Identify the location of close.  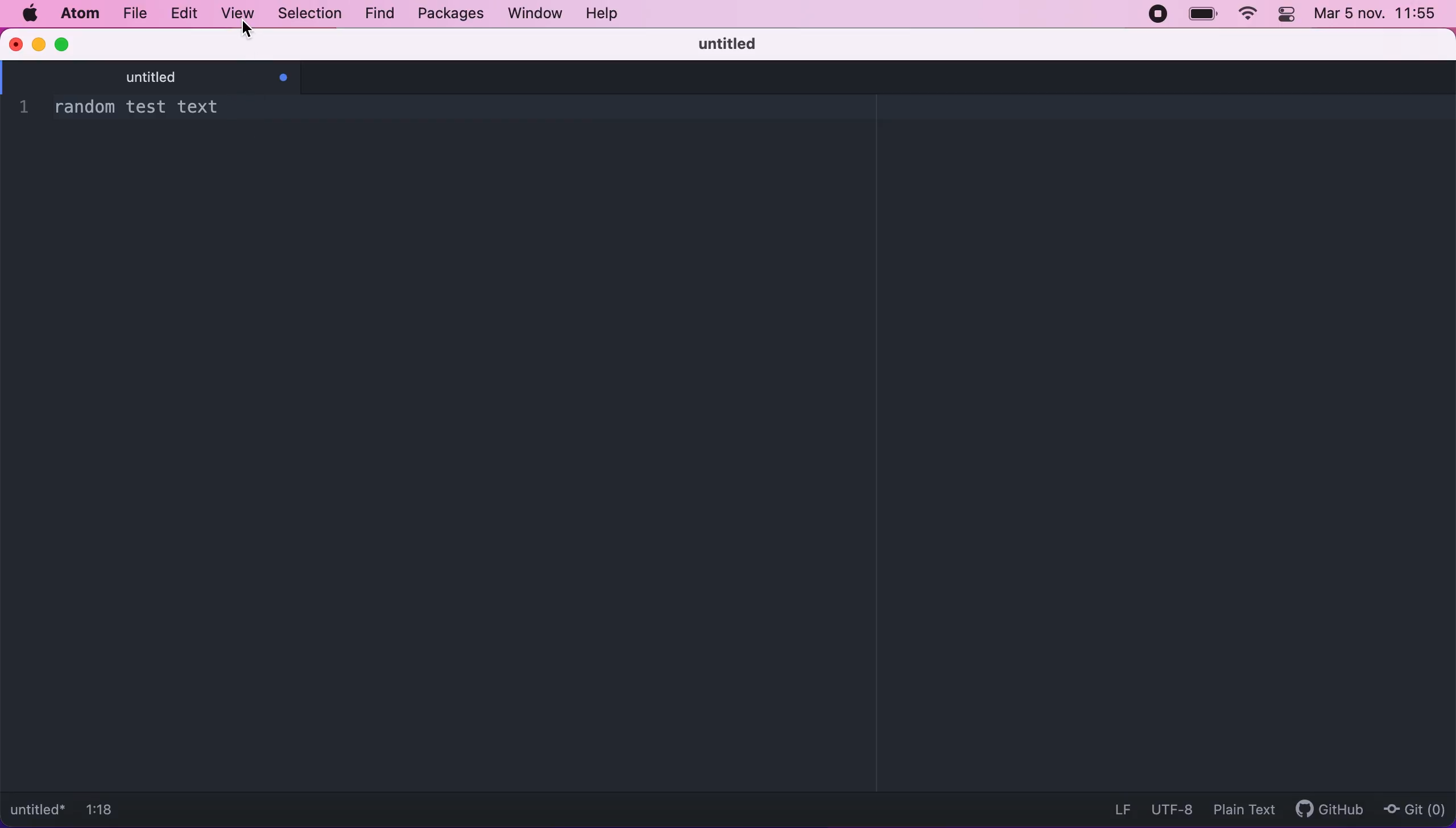
(16, 45).